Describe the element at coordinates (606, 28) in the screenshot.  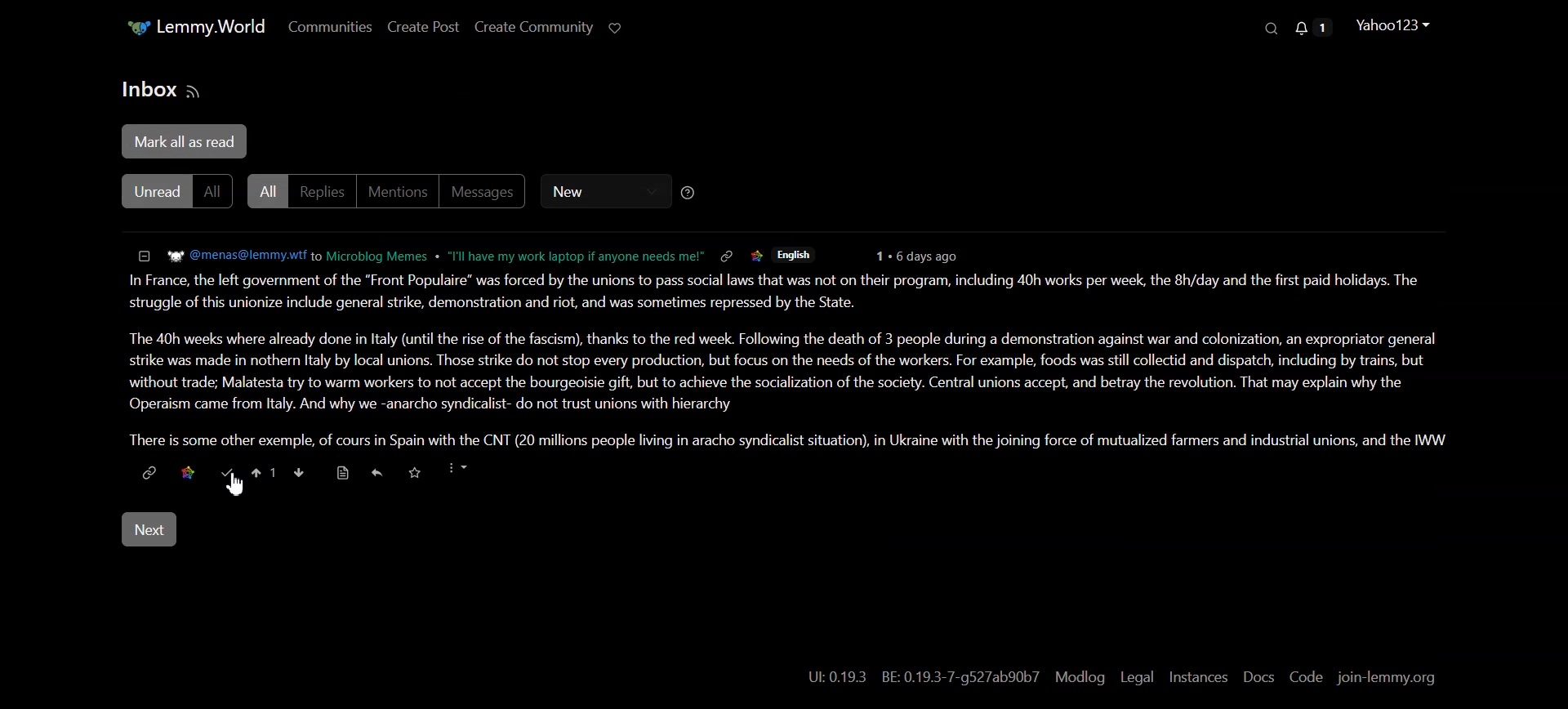
I see `Support Limmy` at that location.